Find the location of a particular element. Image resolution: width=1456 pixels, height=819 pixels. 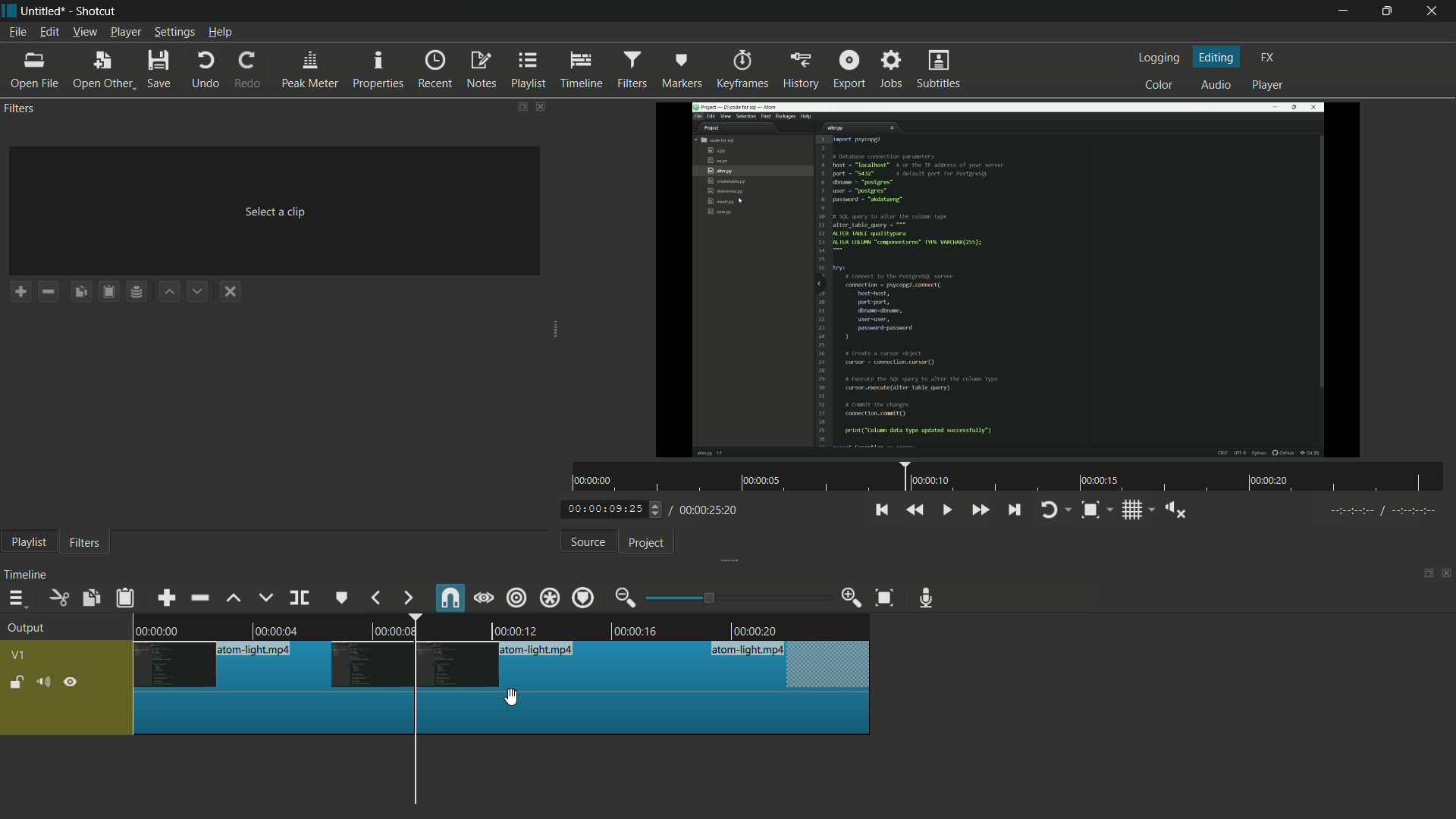

player is located at coordinates (1270, 87).